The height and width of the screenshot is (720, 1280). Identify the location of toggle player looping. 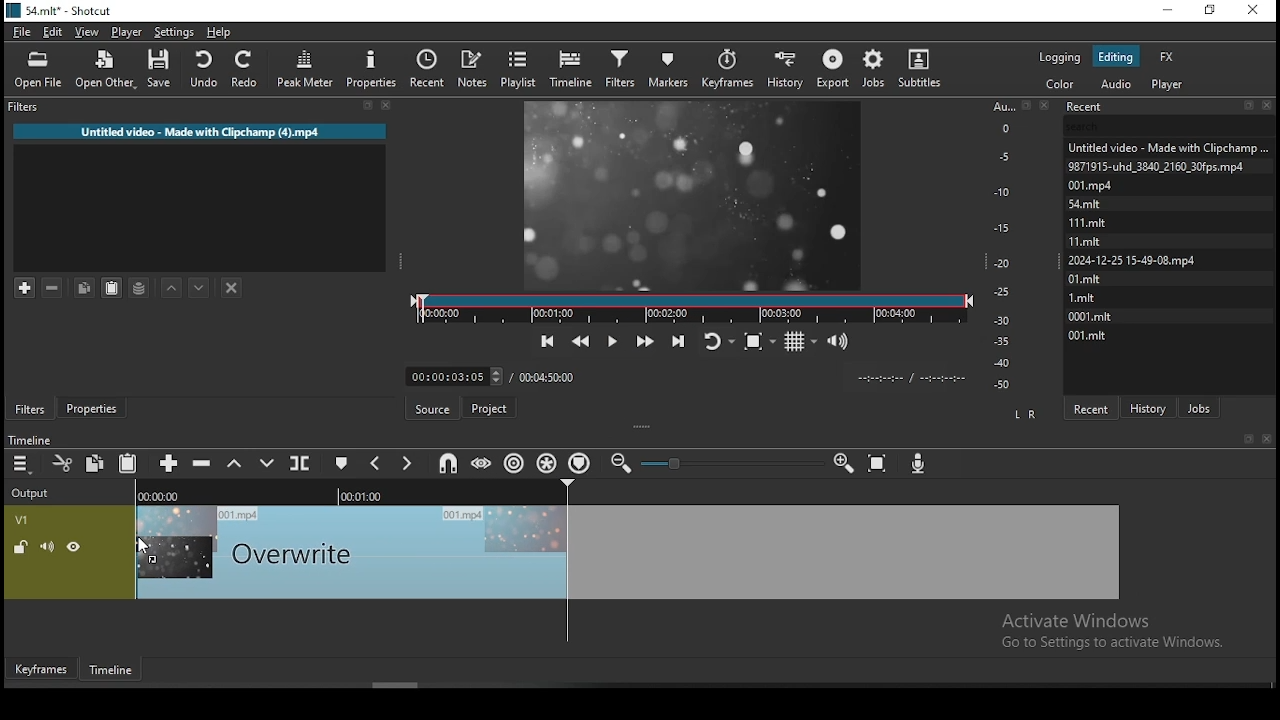
(717, 339).